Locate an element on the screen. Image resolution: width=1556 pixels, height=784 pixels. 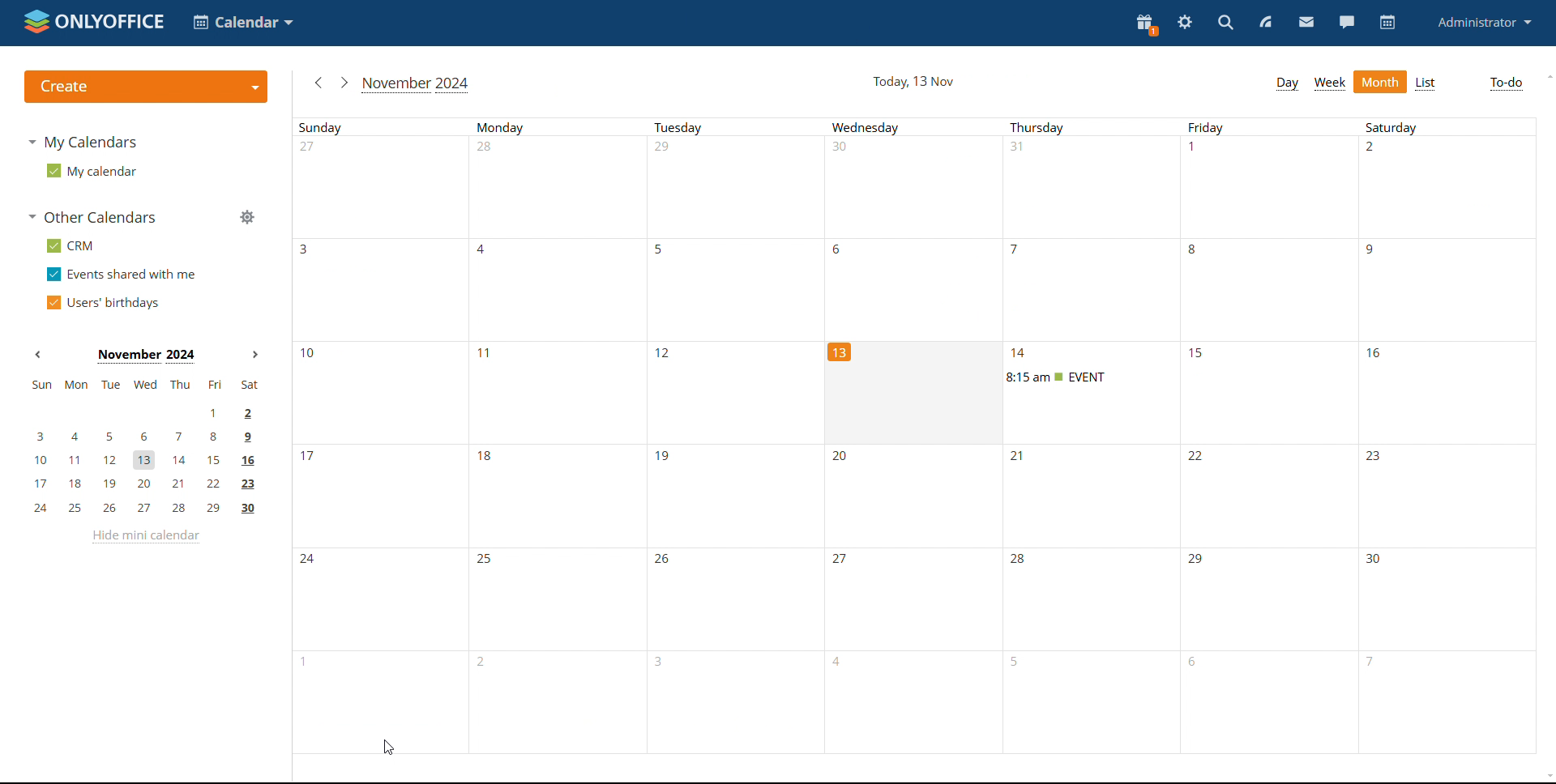
unallocated time slots is located at coordinates (921, 190).